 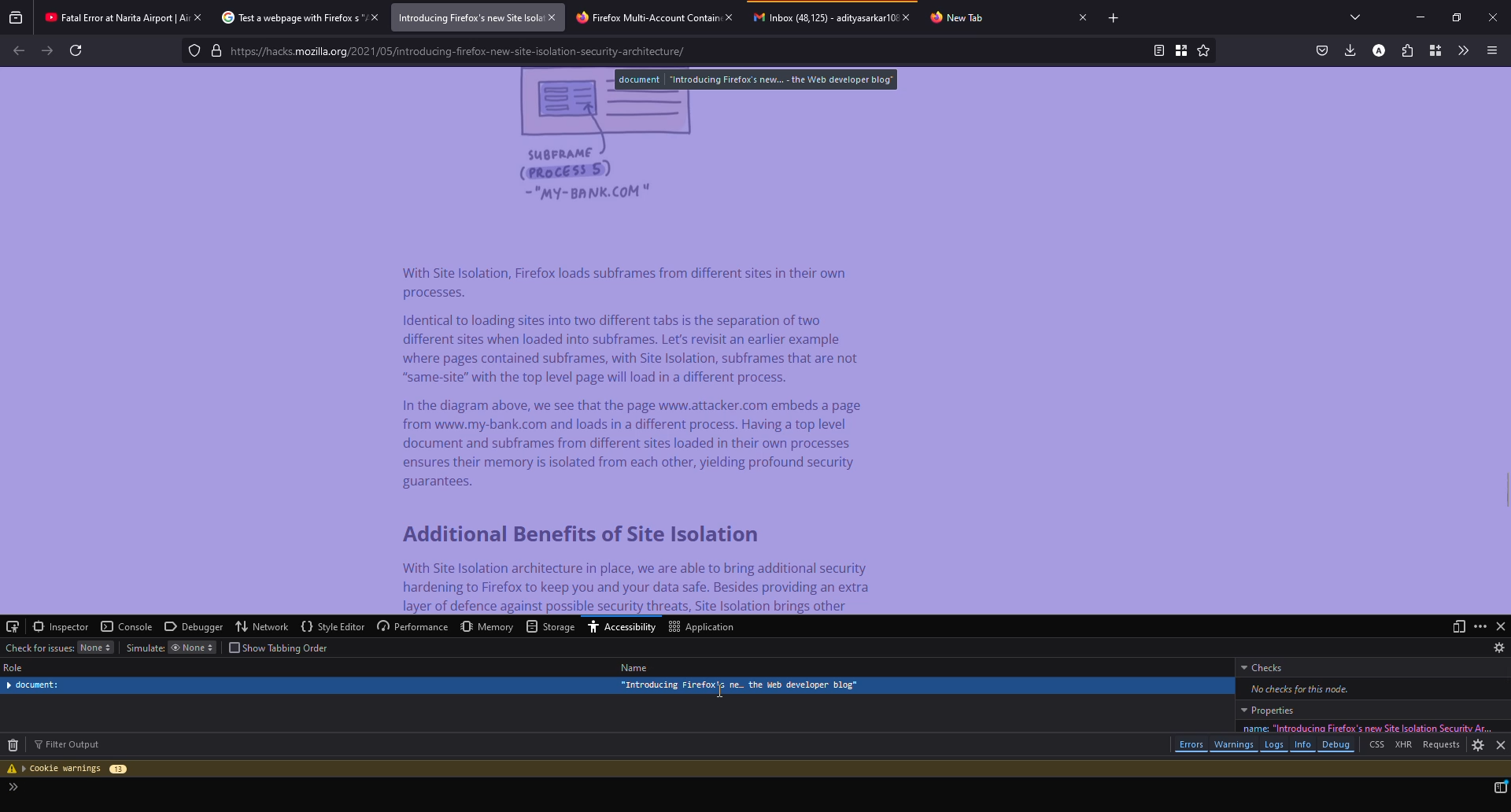 I want to click on close, so click(x=1081, y=17).